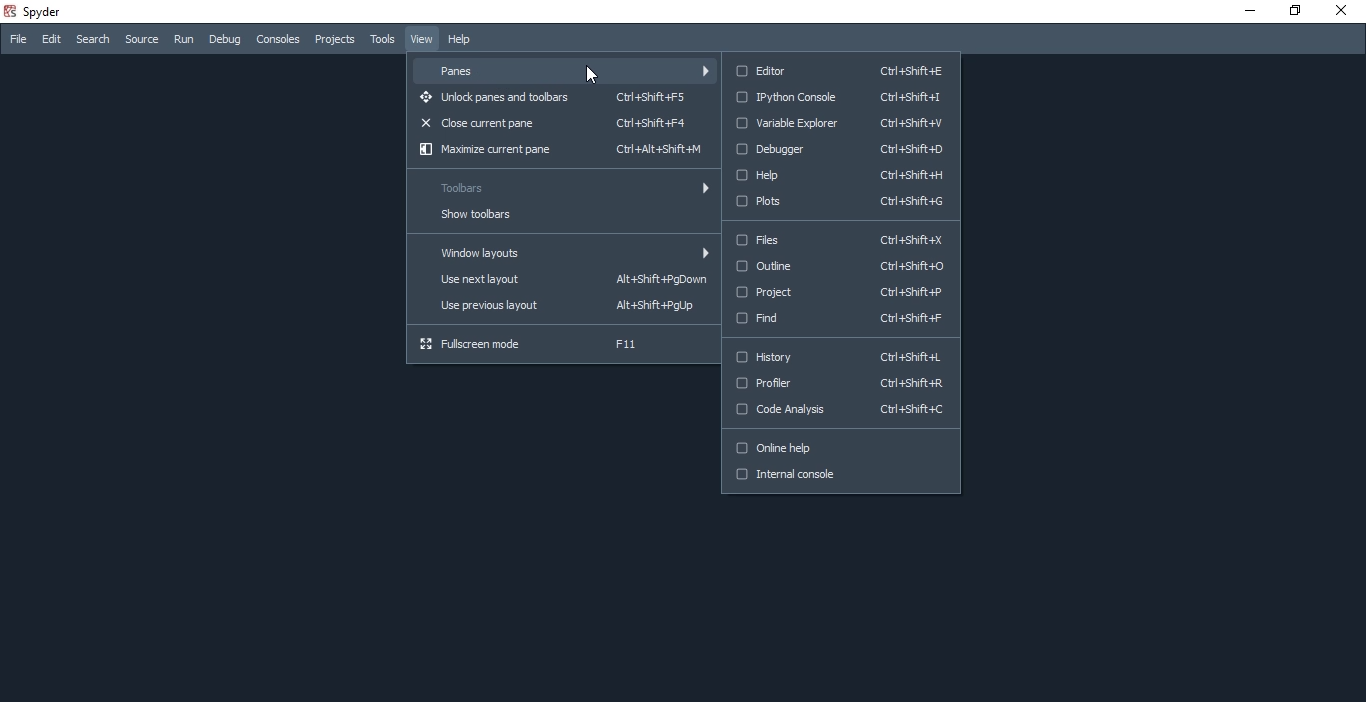  I want to click on Profiler, so click(839, 383).